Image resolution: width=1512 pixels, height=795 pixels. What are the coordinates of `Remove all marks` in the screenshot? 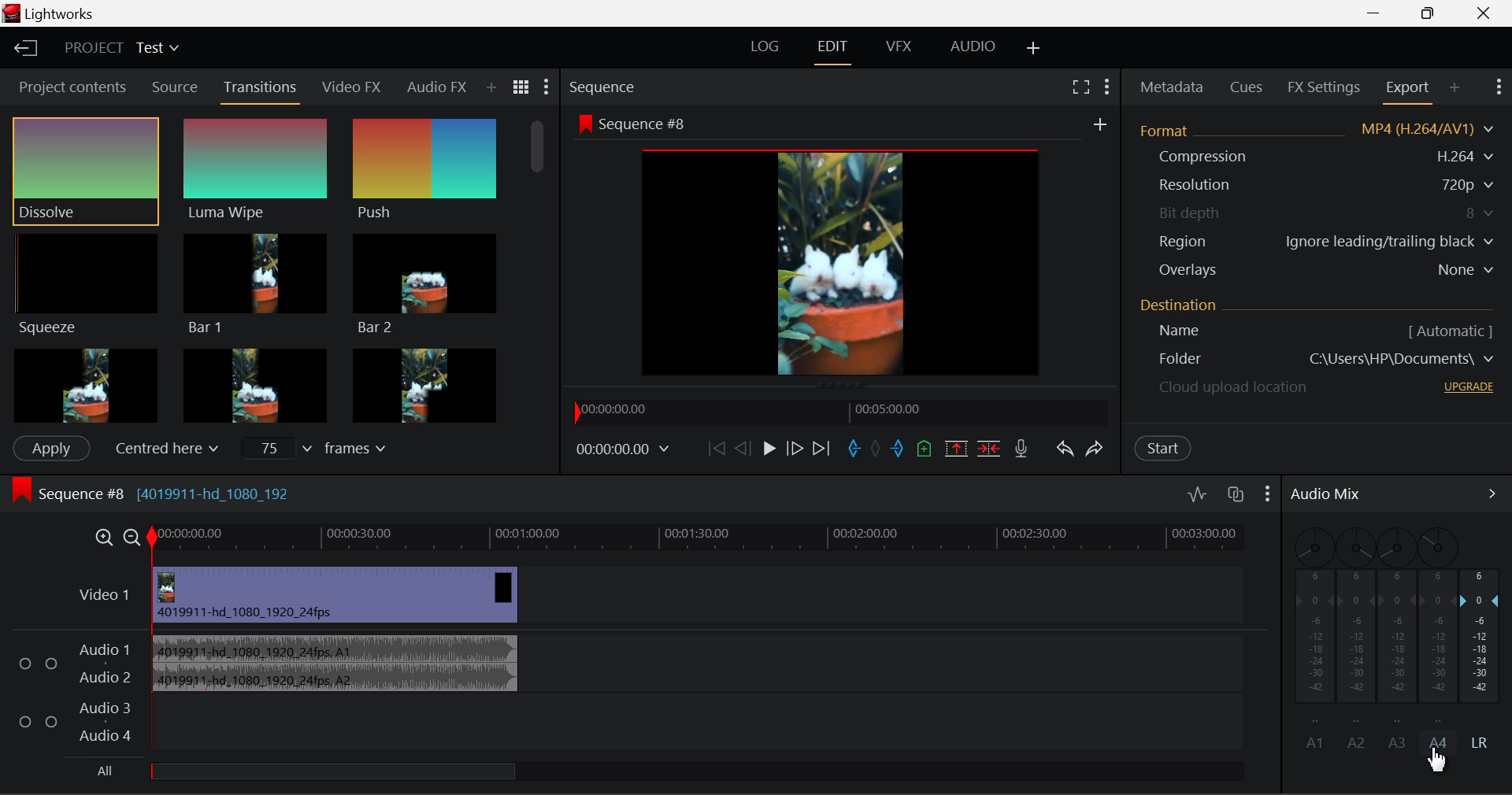 It's located at (875, 449).